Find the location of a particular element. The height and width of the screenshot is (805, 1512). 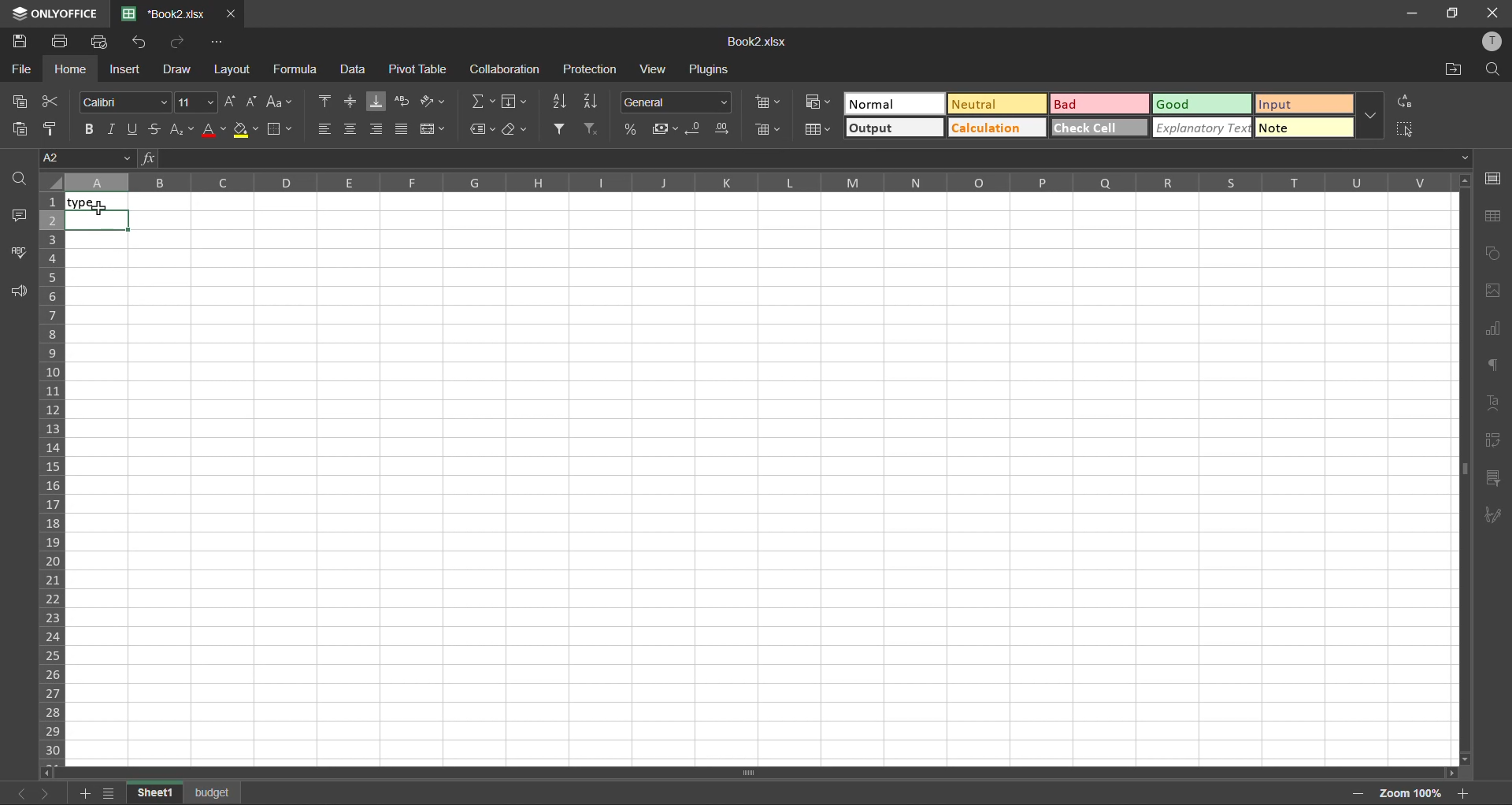

minimize is located at coordinates (1409, 13).